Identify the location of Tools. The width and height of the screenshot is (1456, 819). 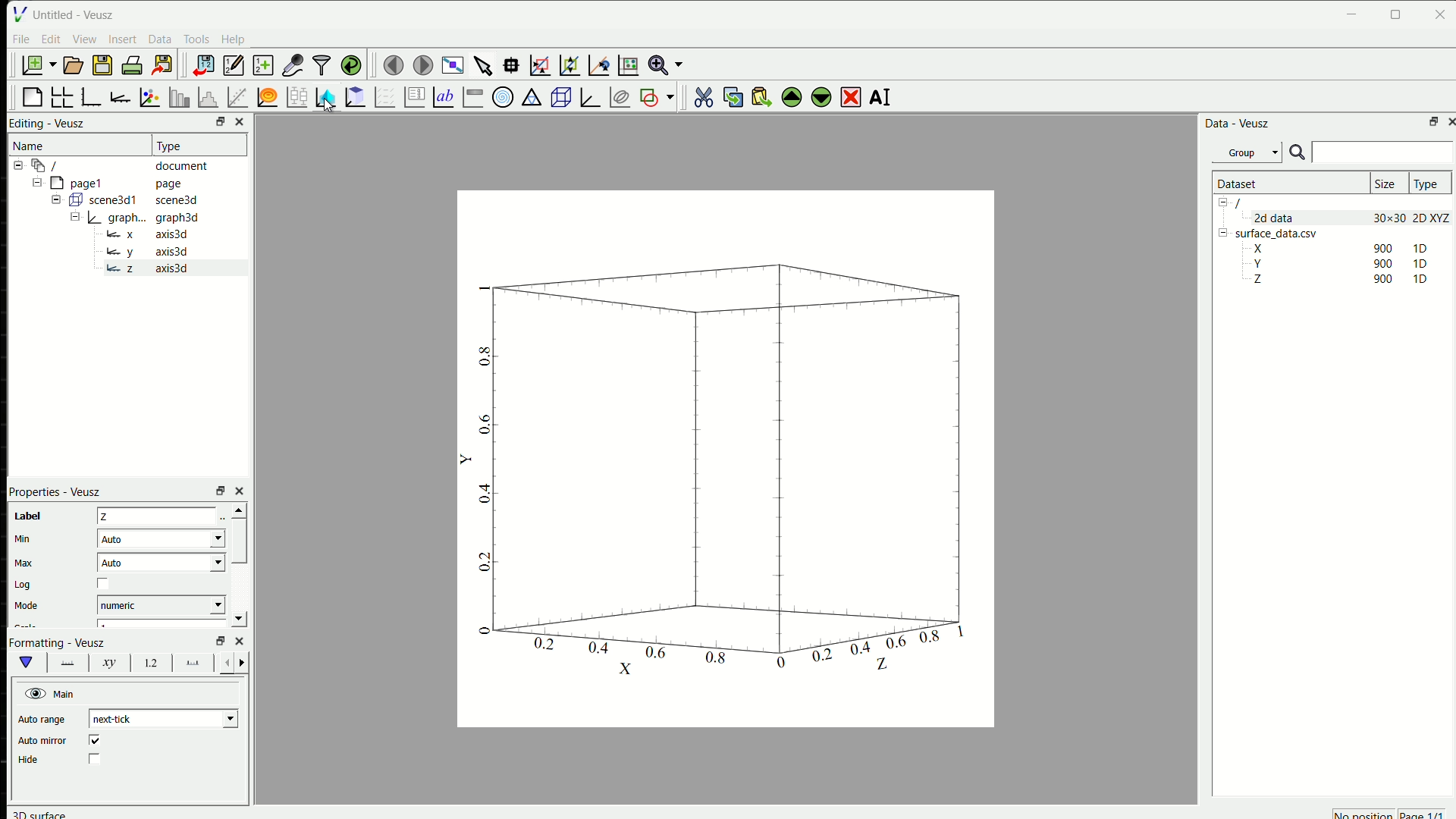
(198, 39).